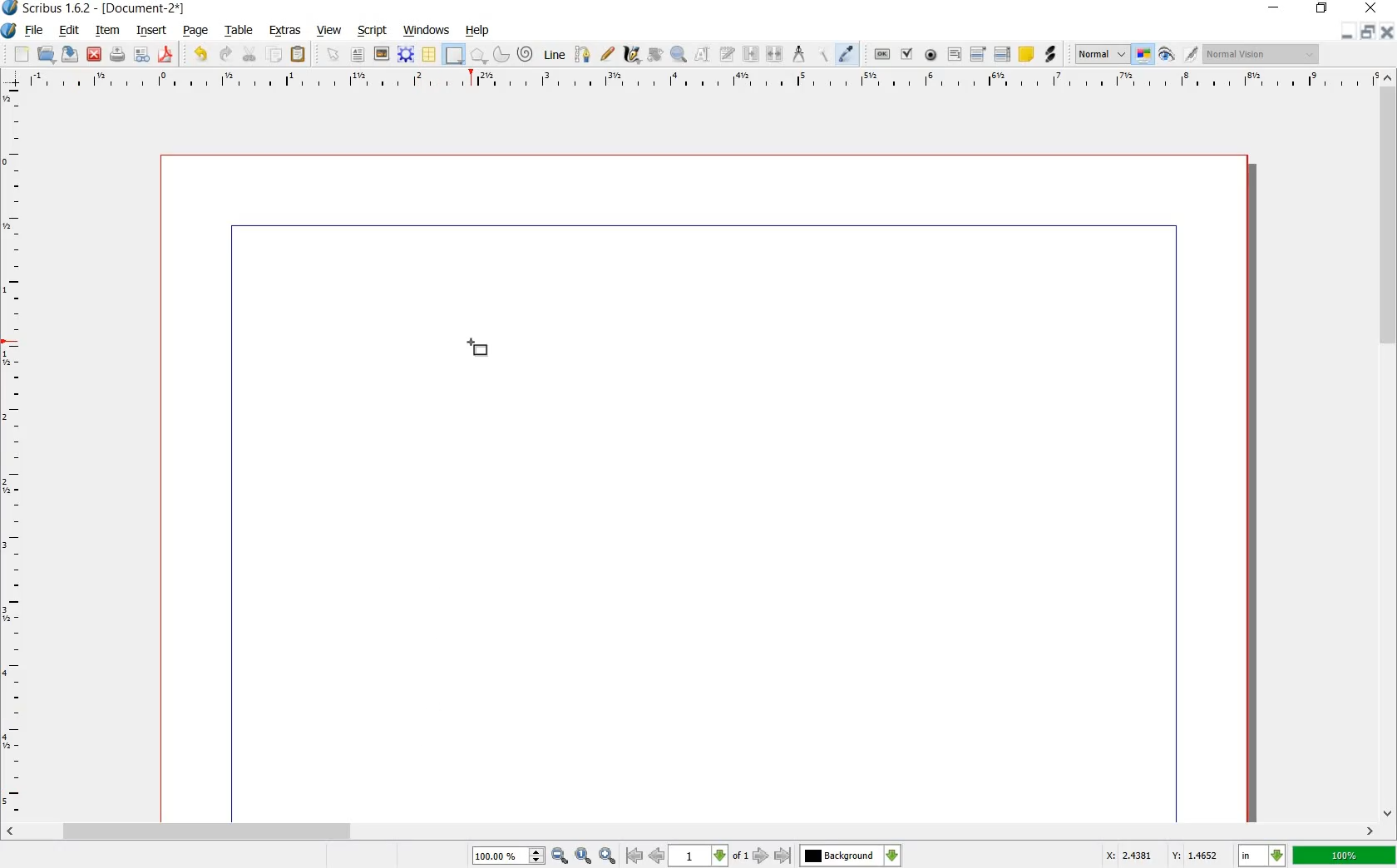  What do you see at coordinates (1260, 856) in the screenshot?
I see `select current unit` at bounding box center [1260, 856].